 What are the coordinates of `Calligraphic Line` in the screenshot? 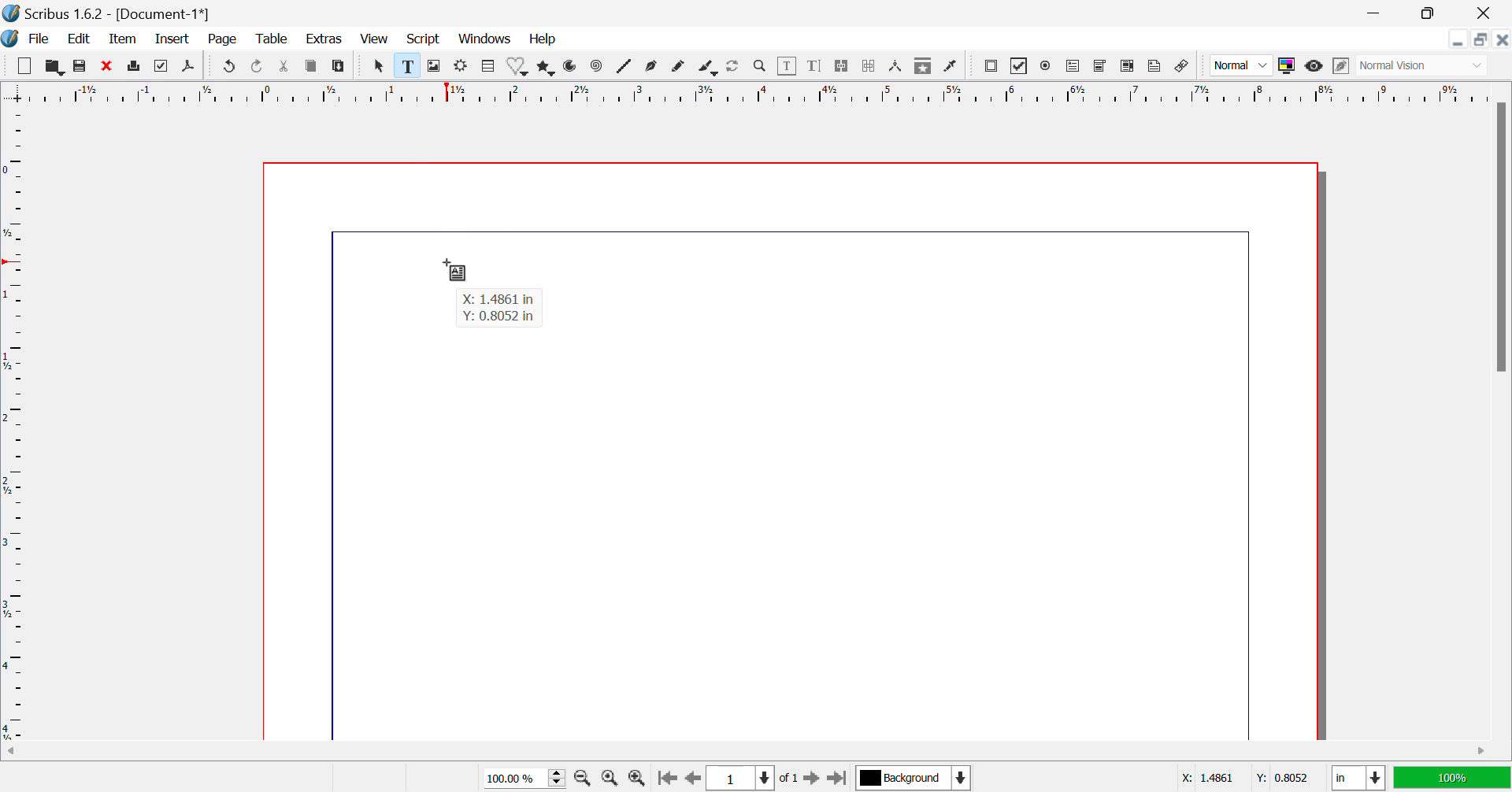 It's located at (707, 68).